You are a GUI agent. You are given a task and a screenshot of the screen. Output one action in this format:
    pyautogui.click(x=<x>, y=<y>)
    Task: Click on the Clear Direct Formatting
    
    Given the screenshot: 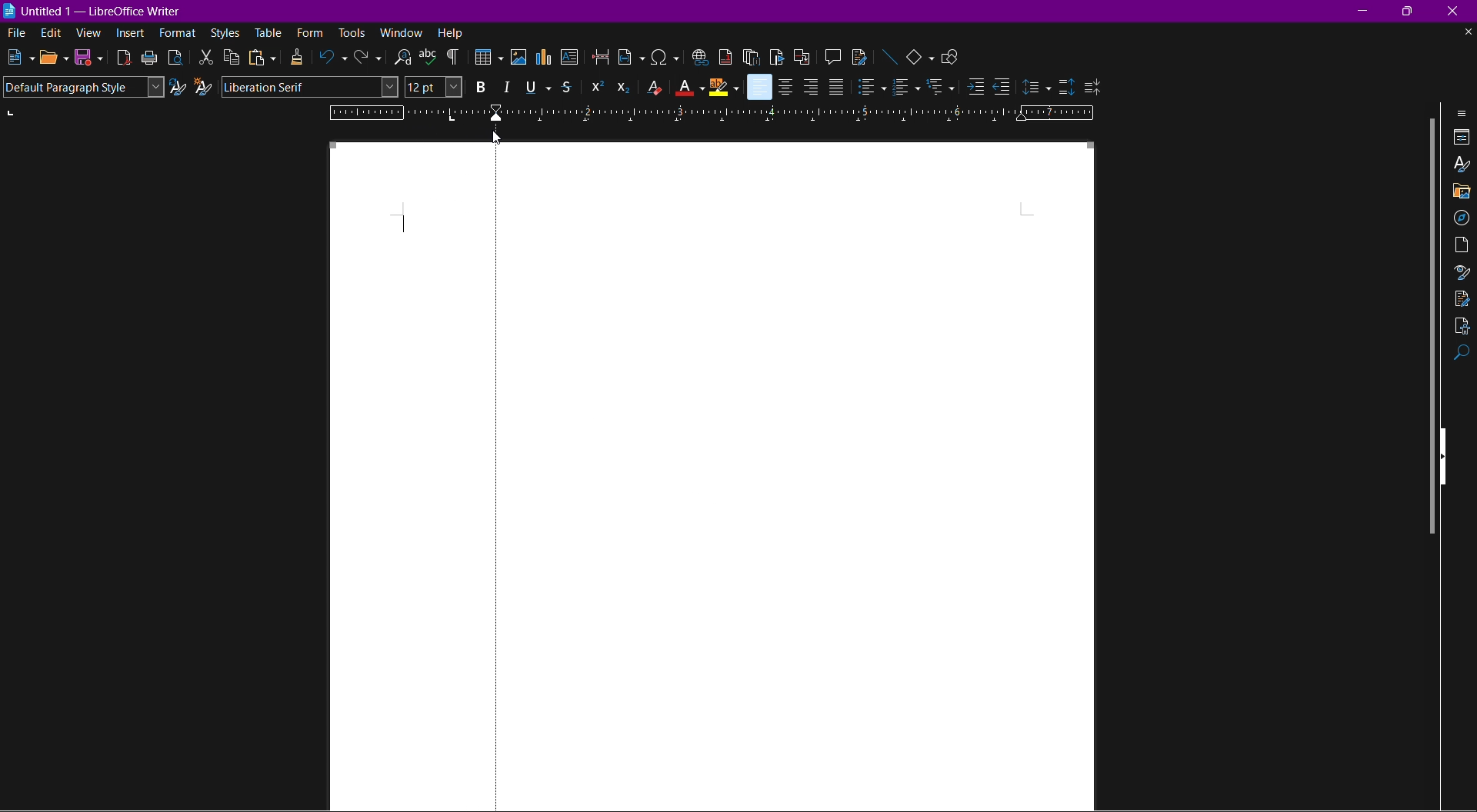 What is the action you would take?
    pyautogui.click(x=653, y=88)
    